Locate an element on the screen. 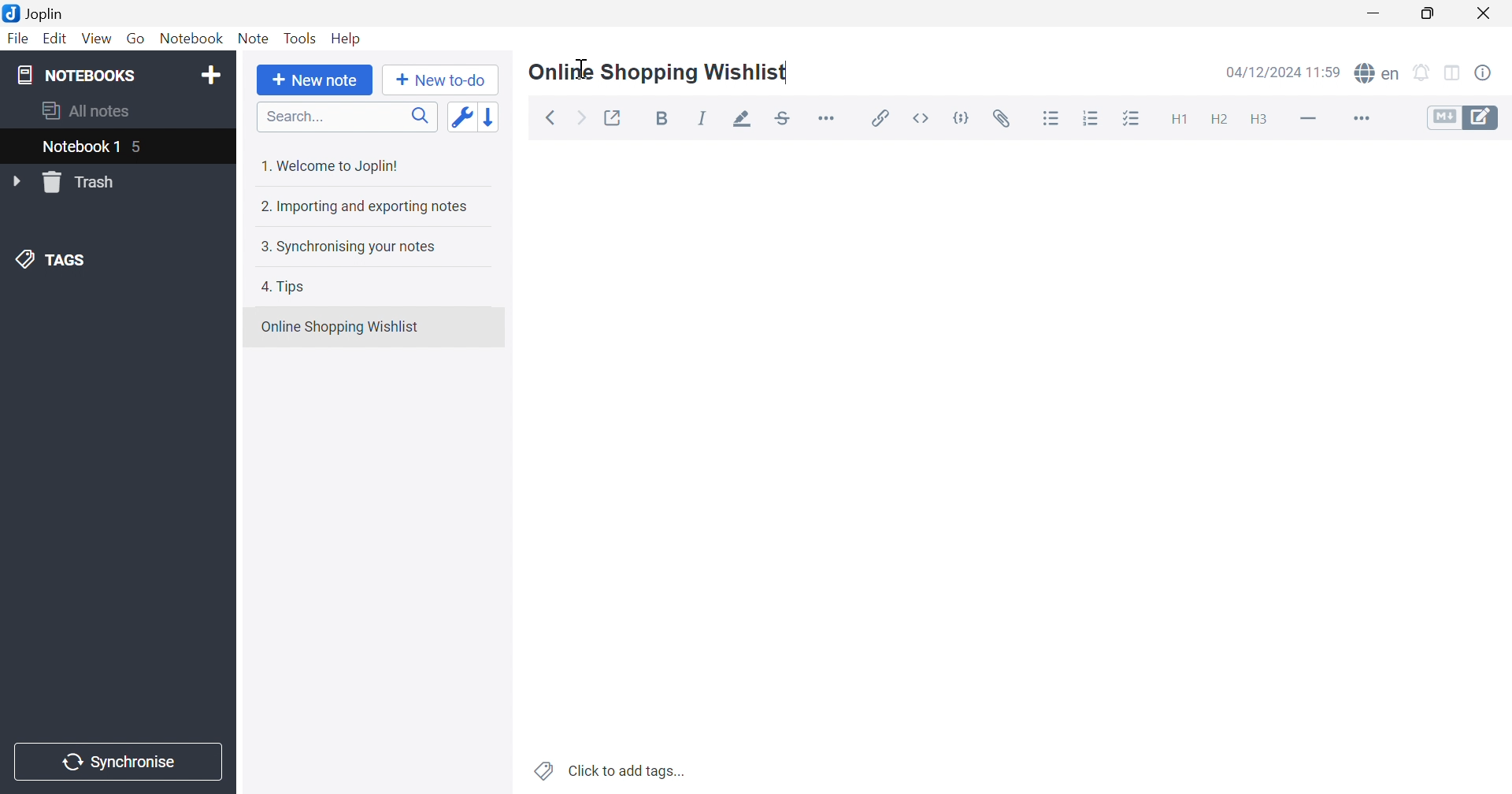 The height and width of the screenshot is (794, 1512). Set alarm is located at coordinates (1421, 72).